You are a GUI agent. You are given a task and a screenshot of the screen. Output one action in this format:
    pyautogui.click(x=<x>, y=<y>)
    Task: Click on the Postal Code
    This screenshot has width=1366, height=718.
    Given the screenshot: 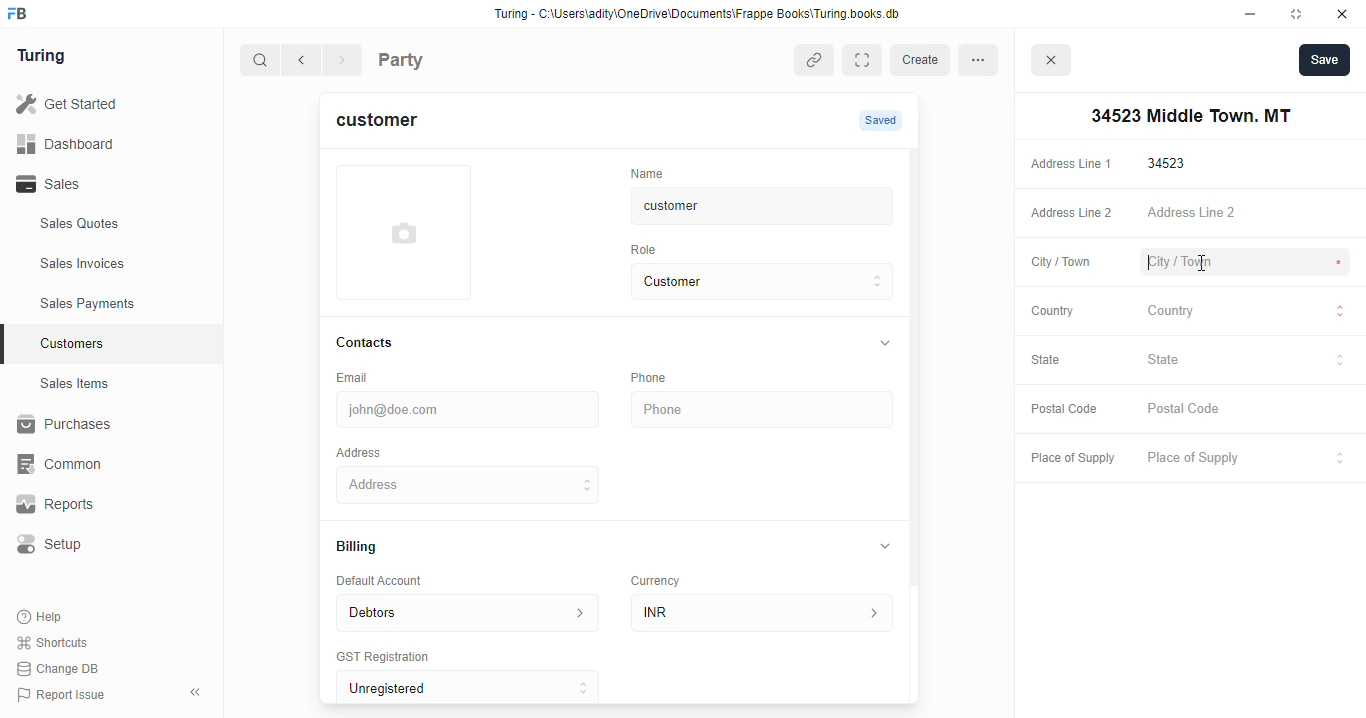 What is the action you would take?
    pyautogui.click(x=1247, y=410)
    